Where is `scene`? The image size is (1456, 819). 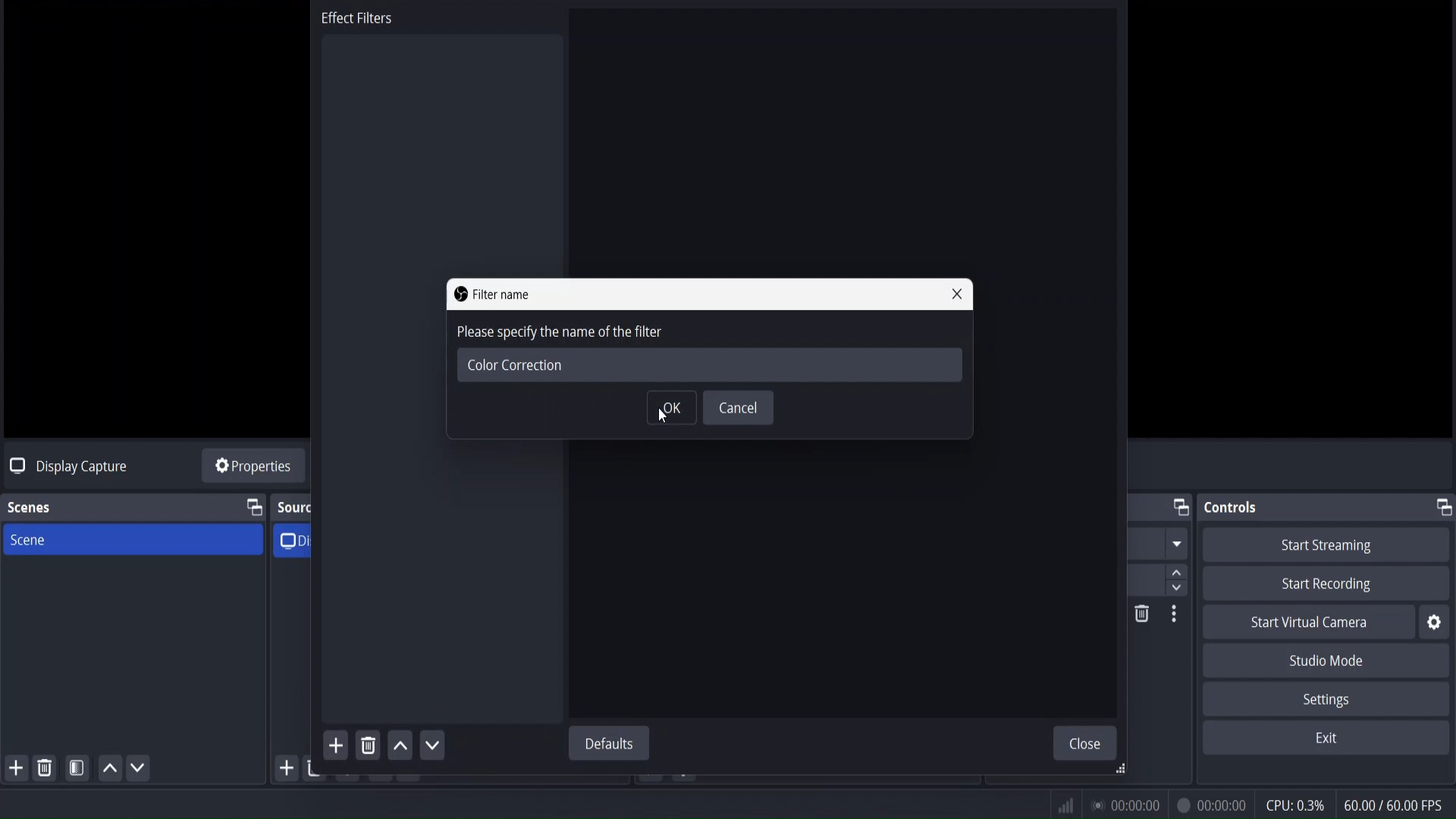
scene is located at coordinates (28, 541).